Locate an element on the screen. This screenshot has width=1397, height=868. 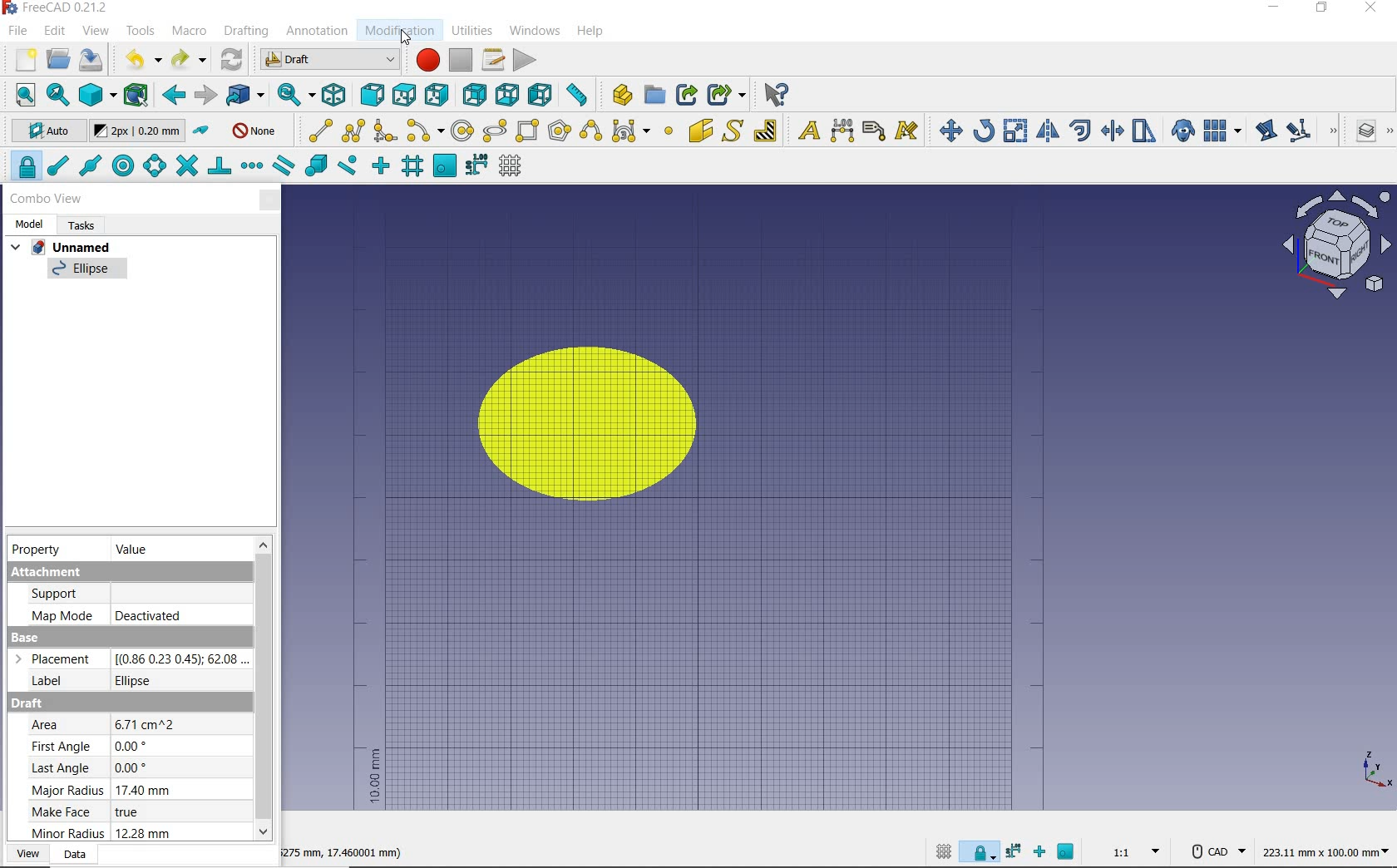
attachment is located at coordinates (128, 595).